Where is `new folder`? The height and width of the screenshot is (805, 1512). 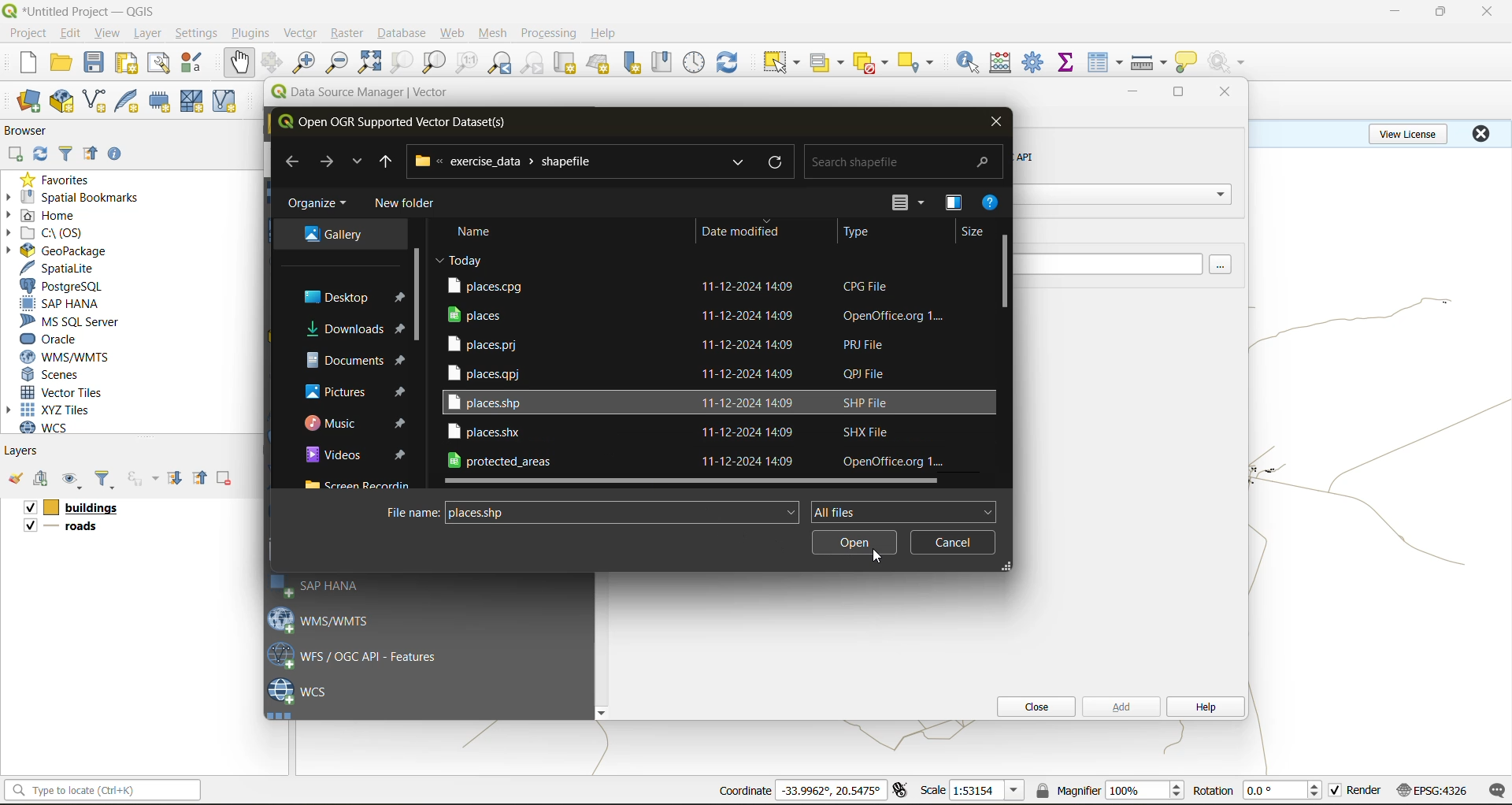 new folder is located at coordinates (409, 206).